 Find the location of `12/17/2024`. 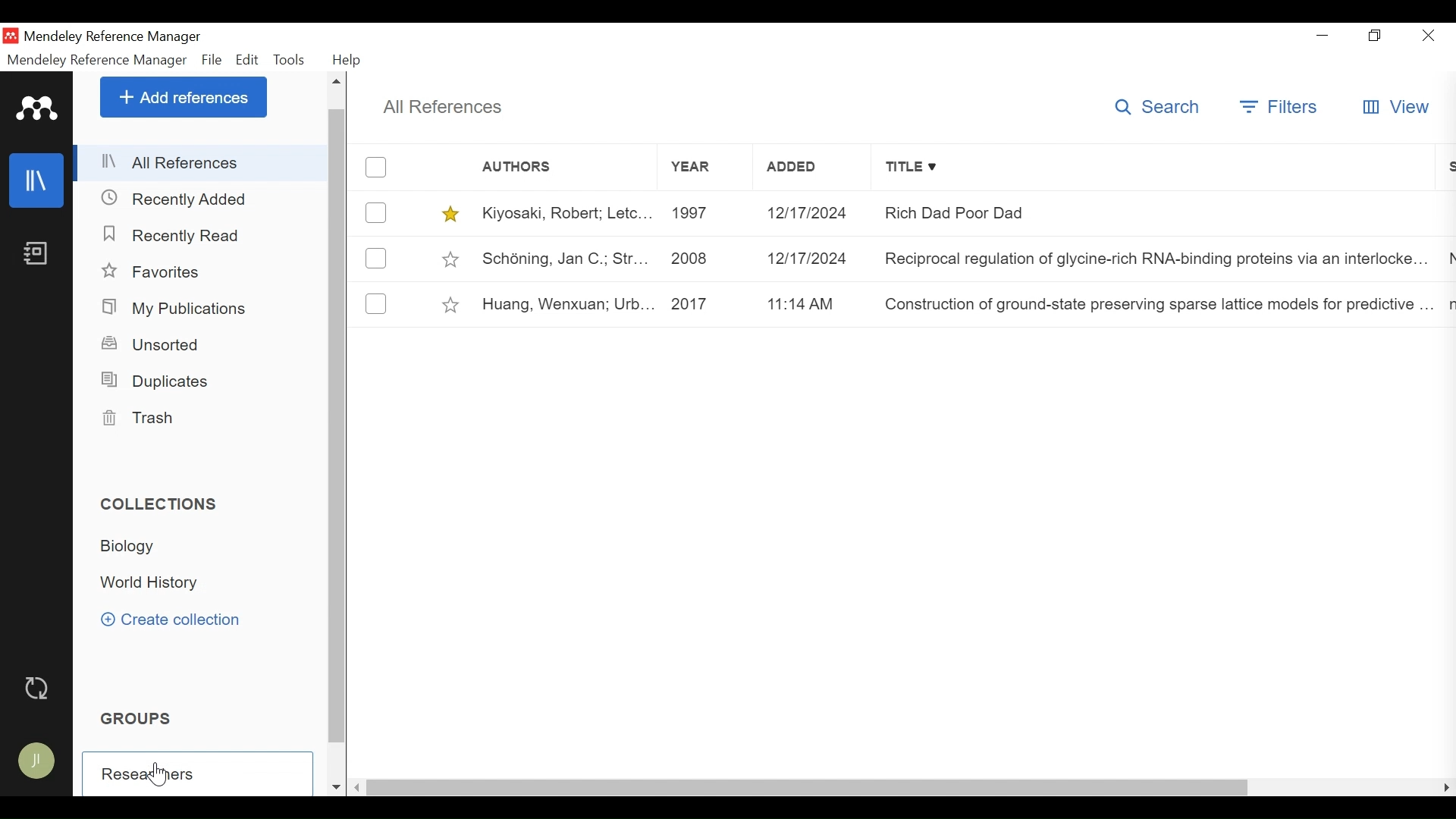

12/17/2024 is located at coordinates (812, 257).